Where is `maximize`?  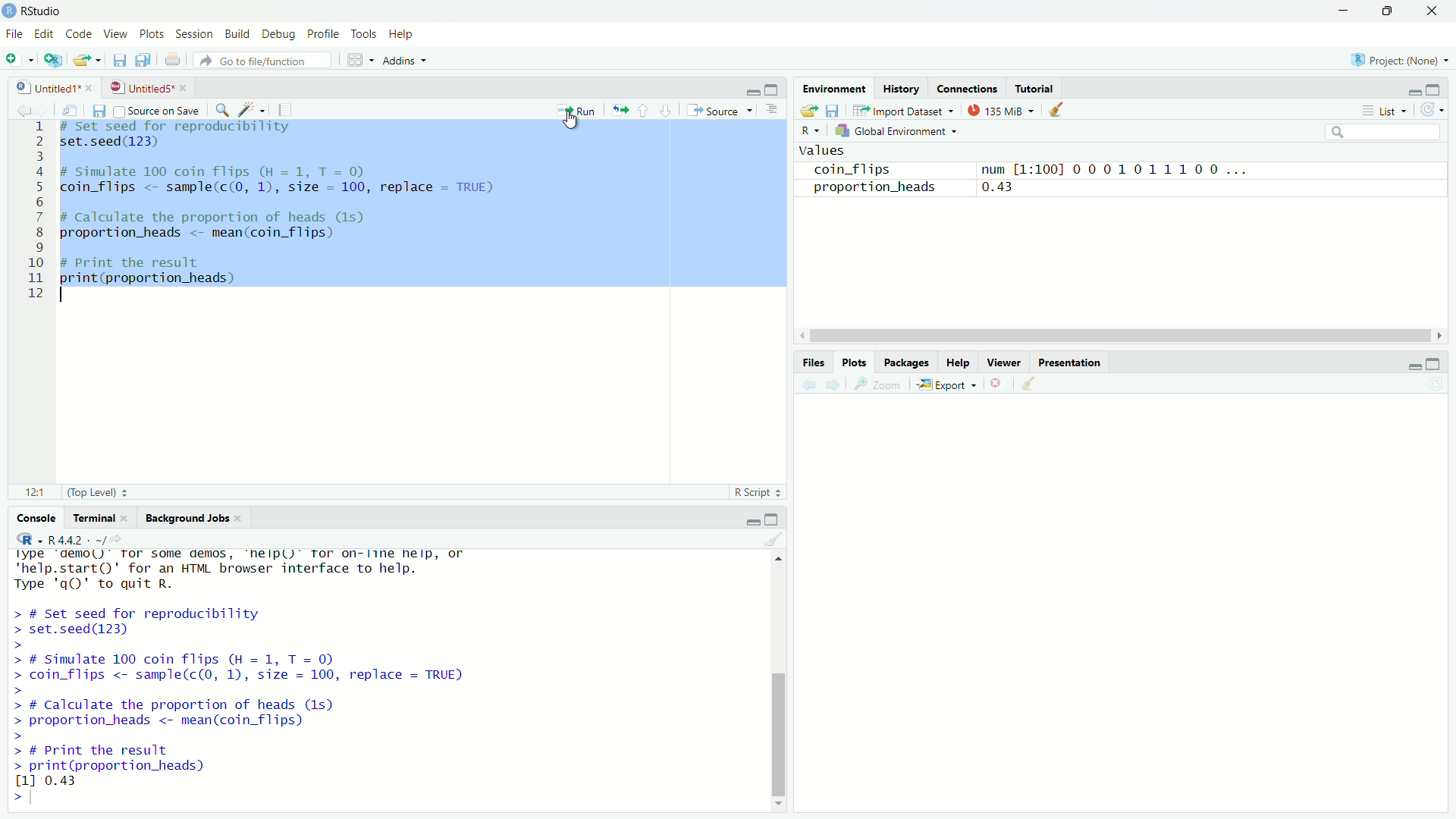
maximize is located at coordinates (1441, 86).